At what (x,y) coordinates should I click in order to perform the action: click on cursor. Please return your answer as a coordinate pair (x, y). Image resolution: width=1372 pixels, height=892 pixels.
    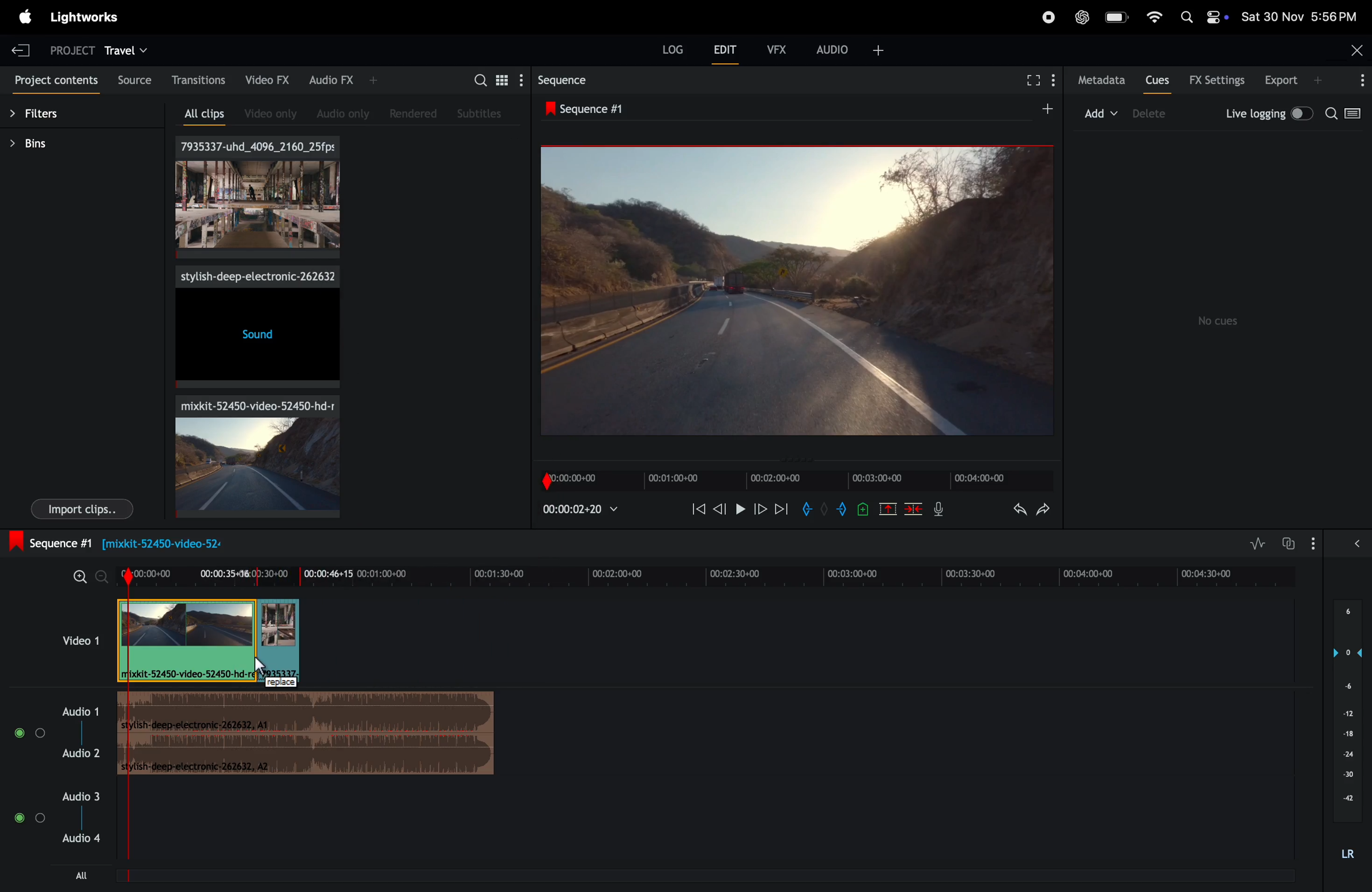
    Looking at the image, I should click on (260, 667).